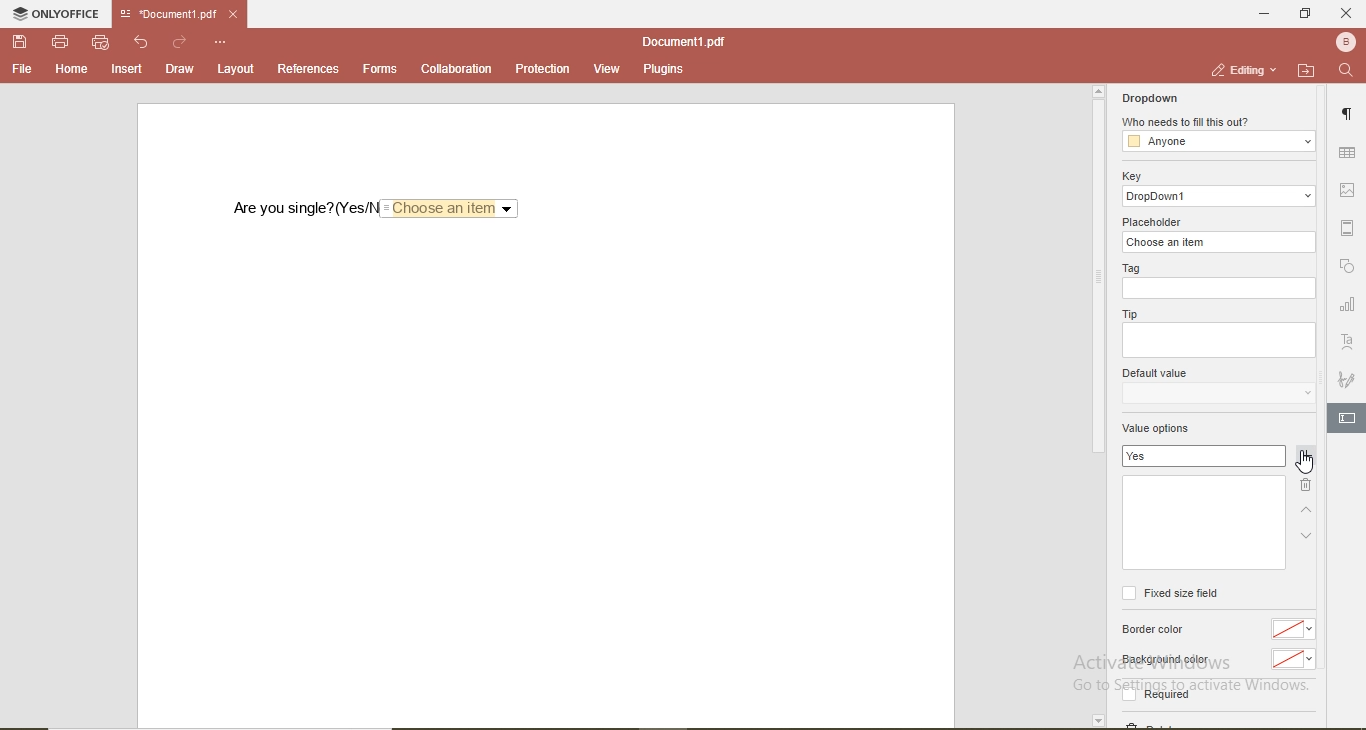 The height and width of the screenshot is (730, 1366). What do you see at coordinates (1309, 458) in the screenshot?
I see `add` at bounding box center [1309, 458].